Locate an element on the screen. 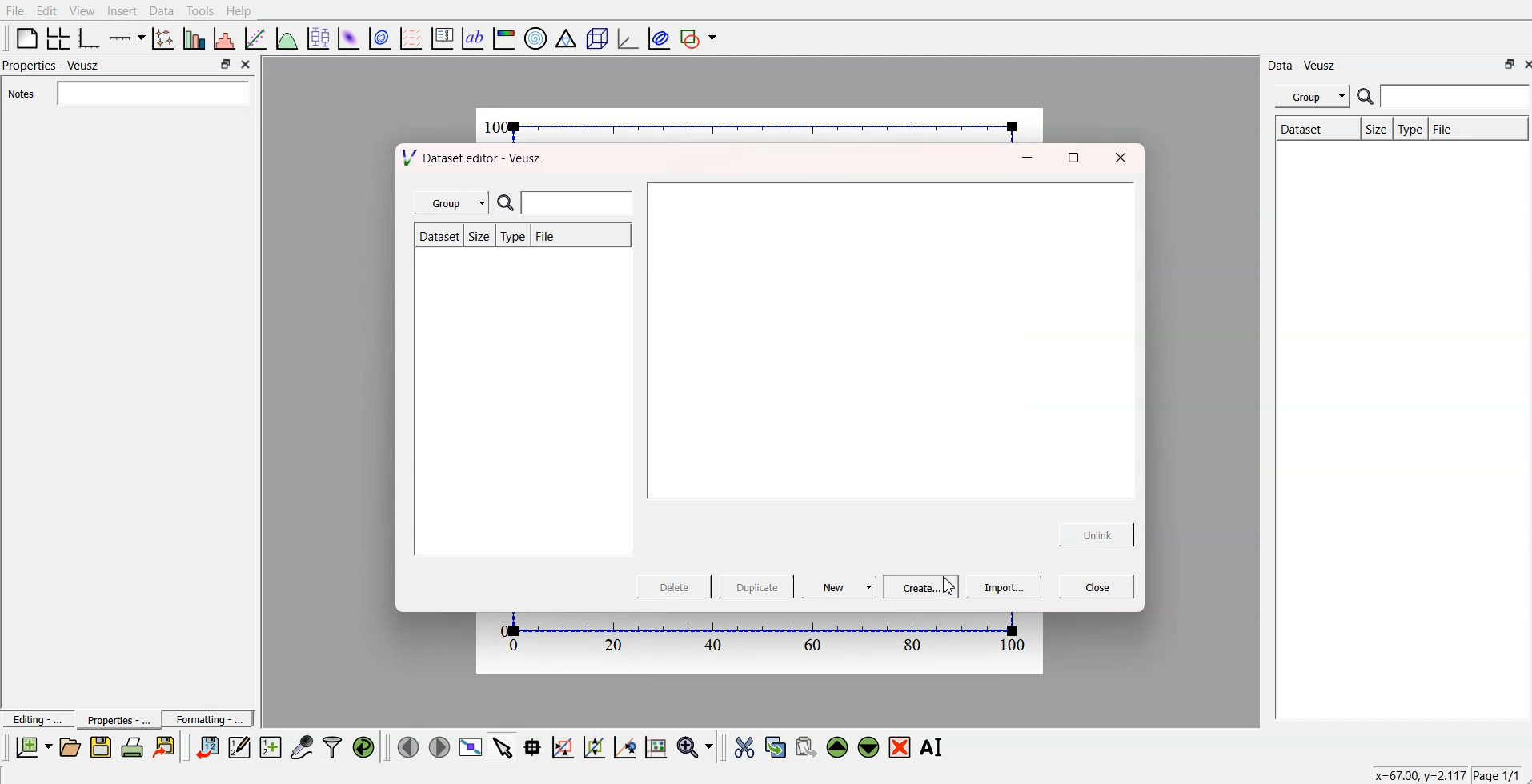  base graph is located at coordinates (90, 37).